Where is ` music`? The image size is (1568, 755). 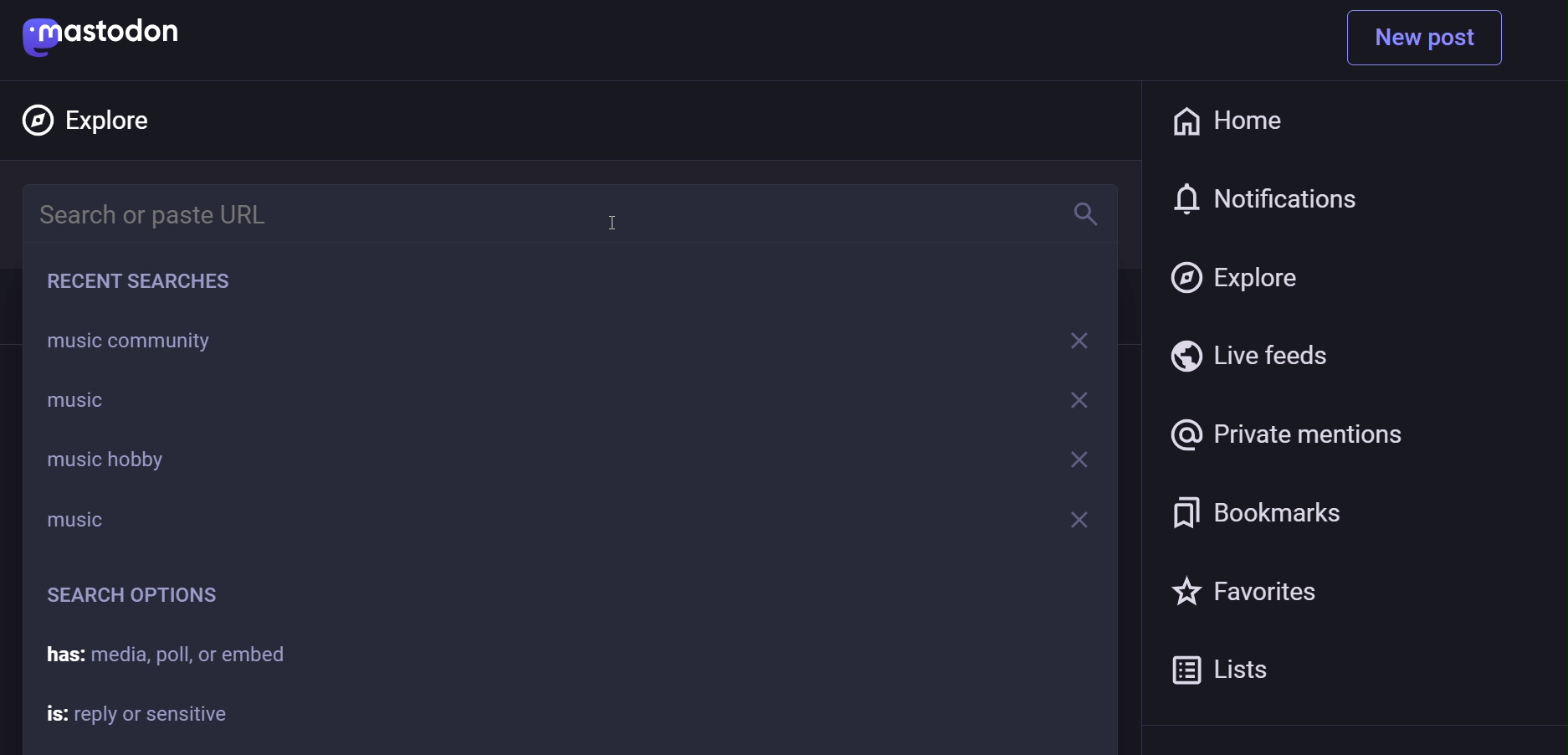  music is located at coordinates (85, 519).